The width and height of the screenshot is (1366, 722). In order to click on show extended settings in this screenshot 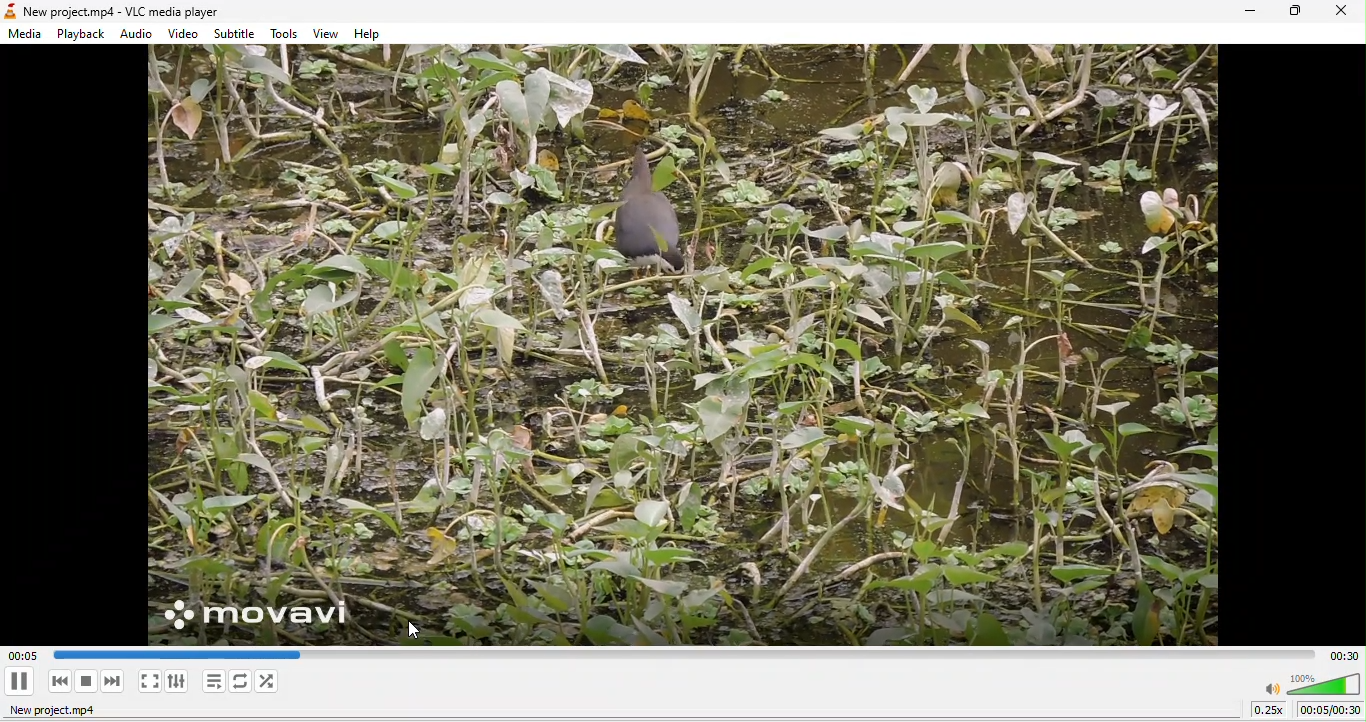, I will do `click(181, 684)`.